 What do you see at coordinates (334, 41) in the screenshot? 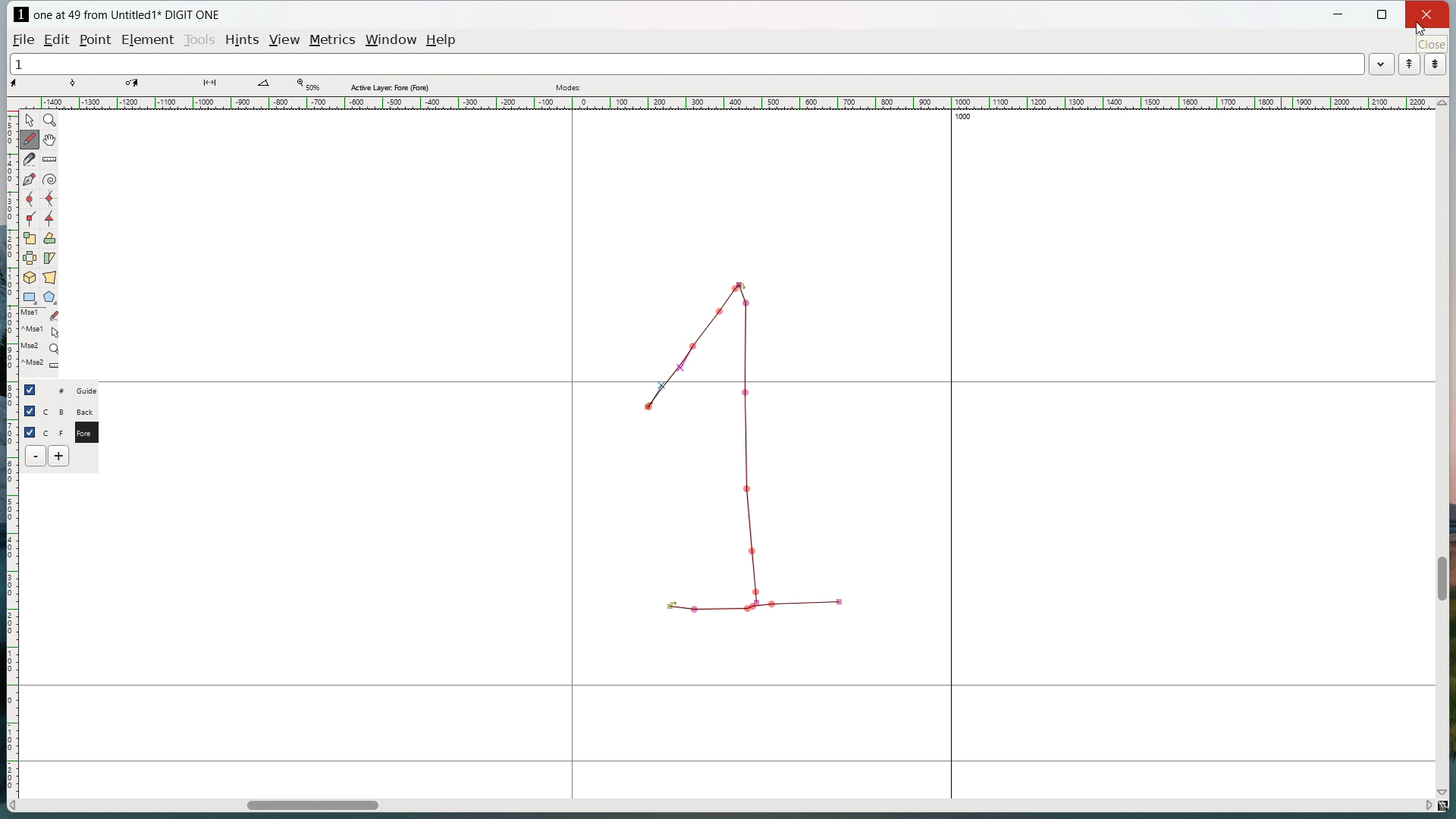
I see `metrics` at bounding box center [334, 41].